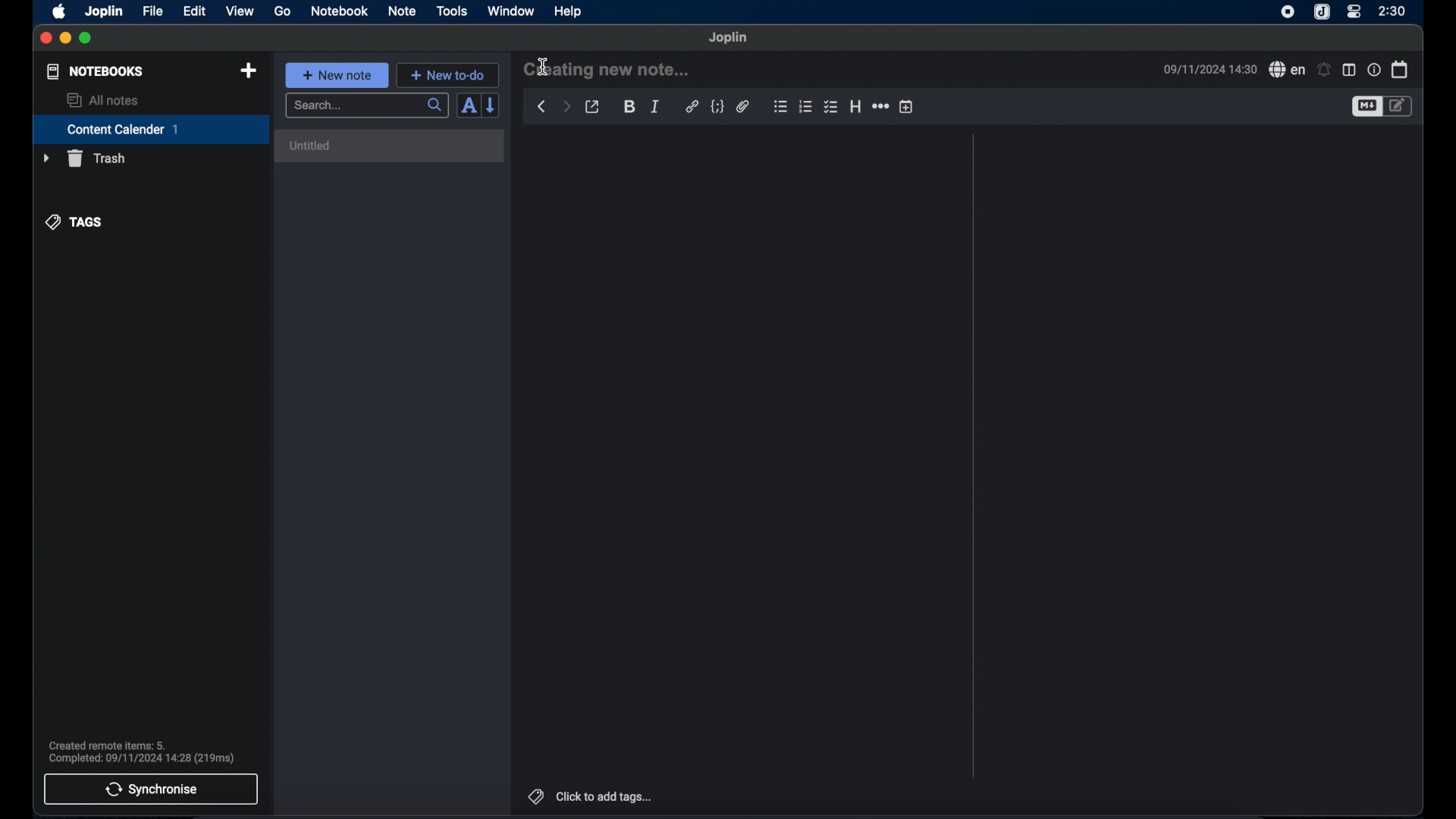  I want to click on click to add tags, so click(591, 796).